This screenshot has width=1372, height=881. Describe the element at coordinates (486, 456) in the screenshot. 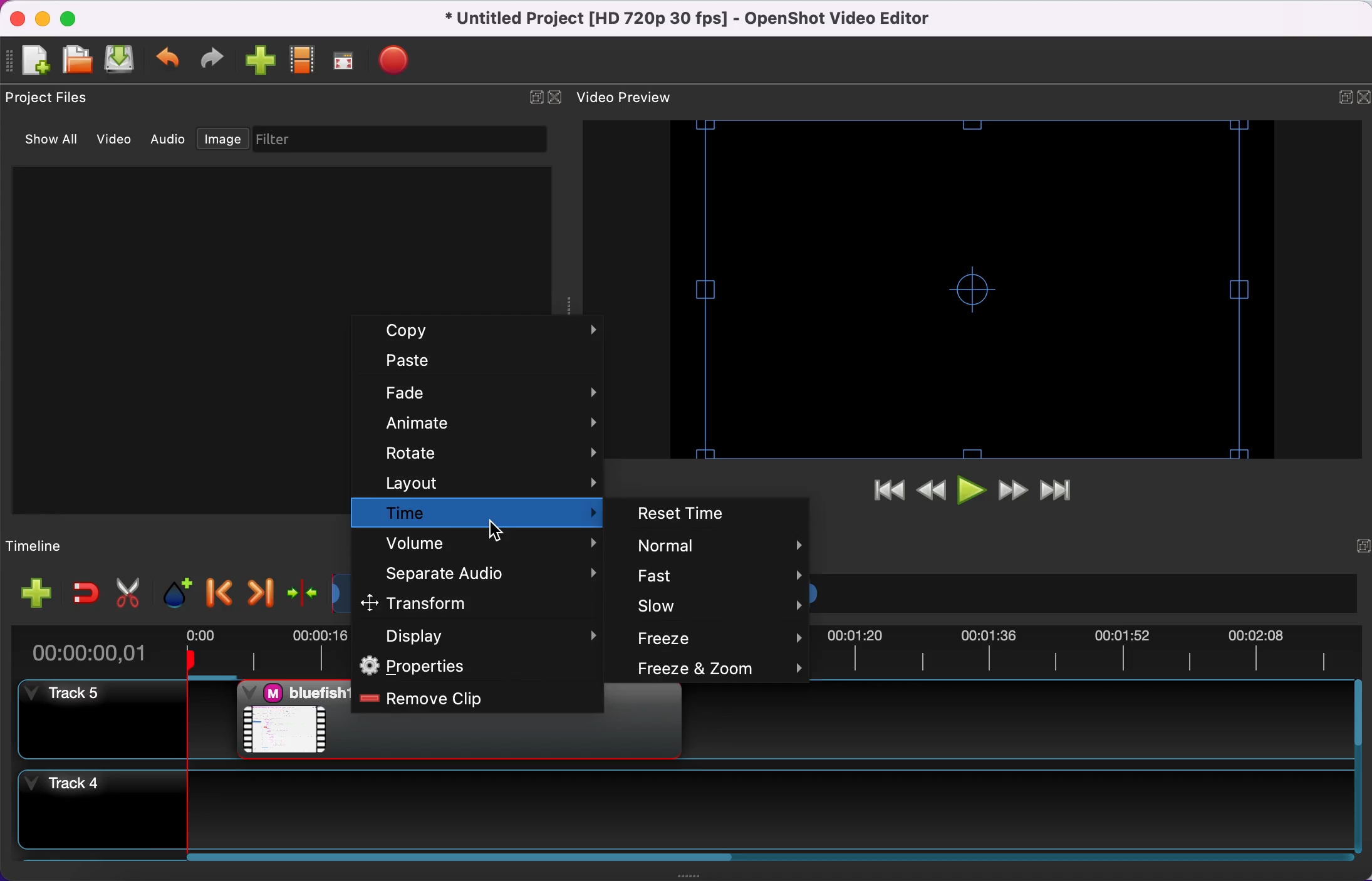

I see `rotate` at that location.